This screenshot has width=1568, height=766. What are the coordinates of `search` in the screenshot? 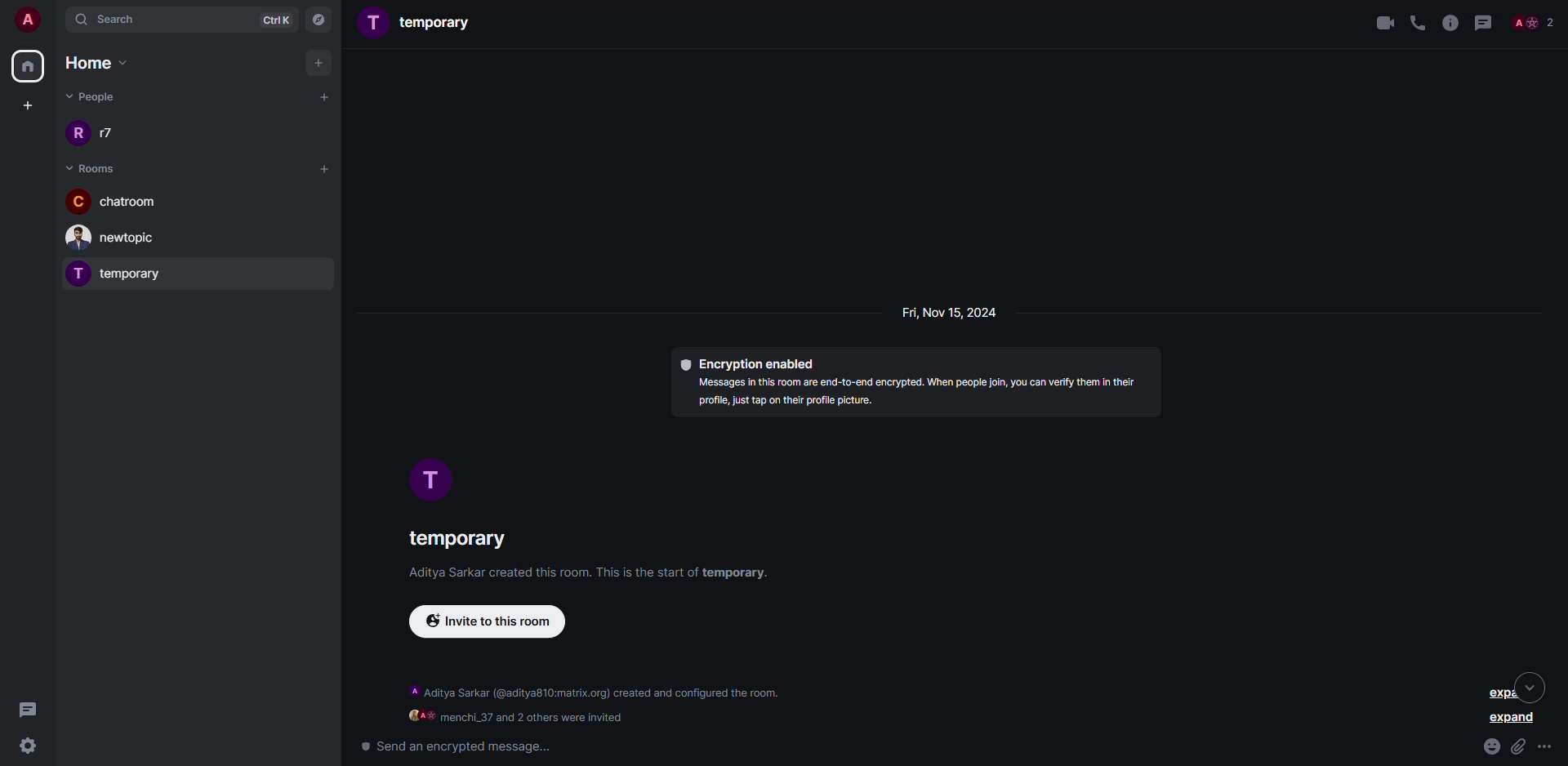 It's located at (119, 19).